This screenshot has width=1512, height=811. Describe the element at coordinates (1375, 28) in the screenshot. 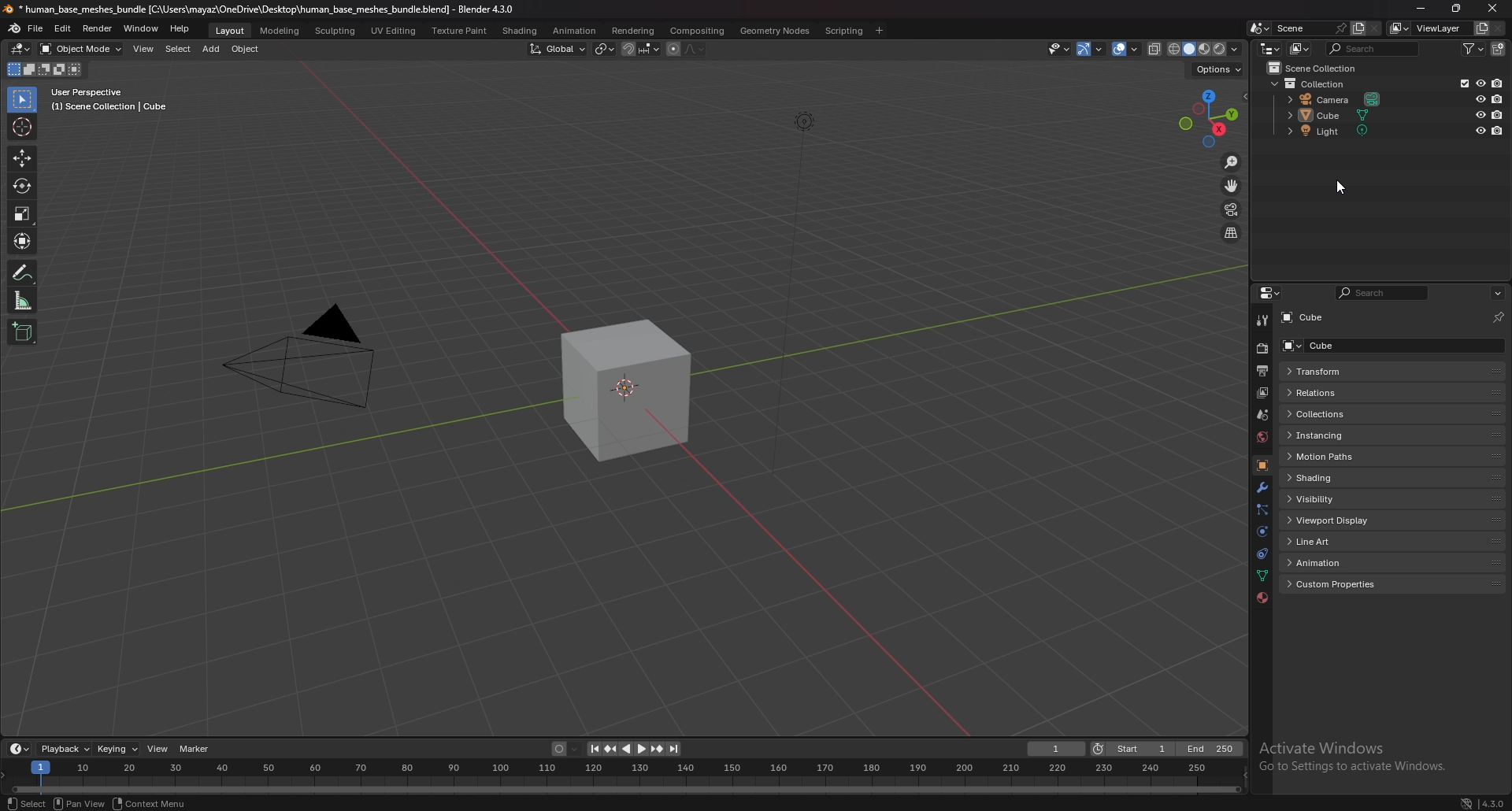

I see `delete scene` at that location.